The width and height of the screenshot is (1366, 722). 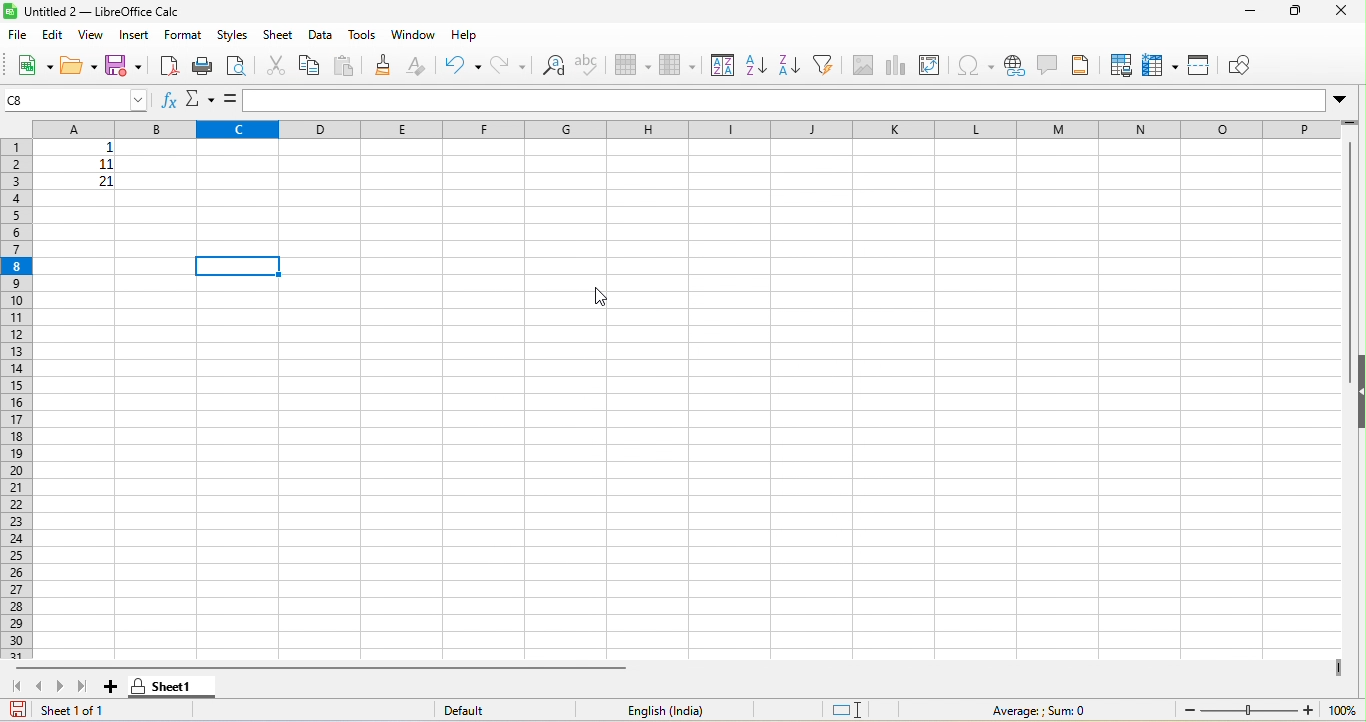 What do you see at coordinates (1352, 247) in the screenshot?
I see `vertical scroll bar` at bounding box center [1352, 247].